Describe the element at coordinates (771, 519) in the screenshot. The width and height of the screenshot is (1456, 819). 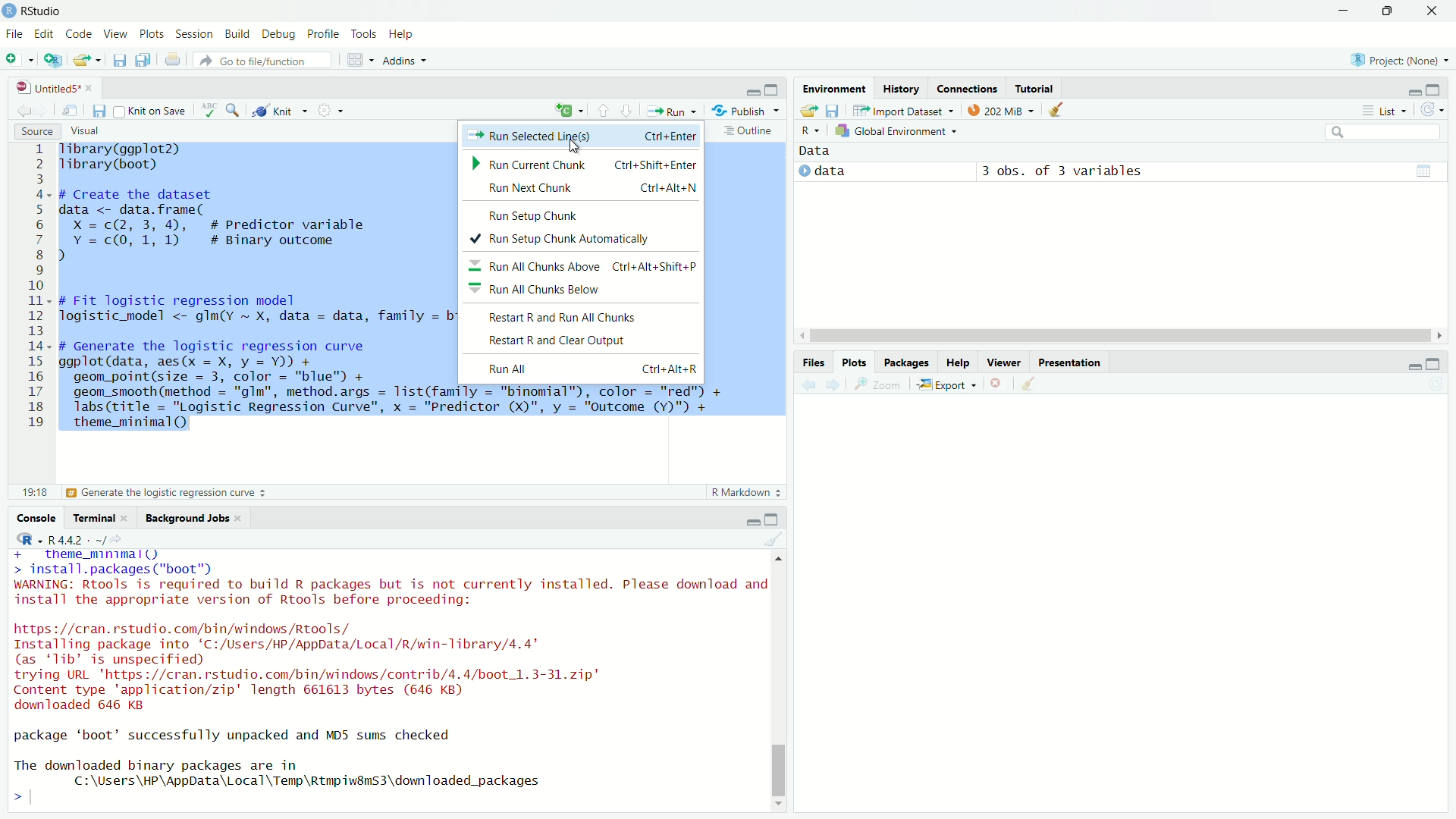
I see `maximize` at that location.